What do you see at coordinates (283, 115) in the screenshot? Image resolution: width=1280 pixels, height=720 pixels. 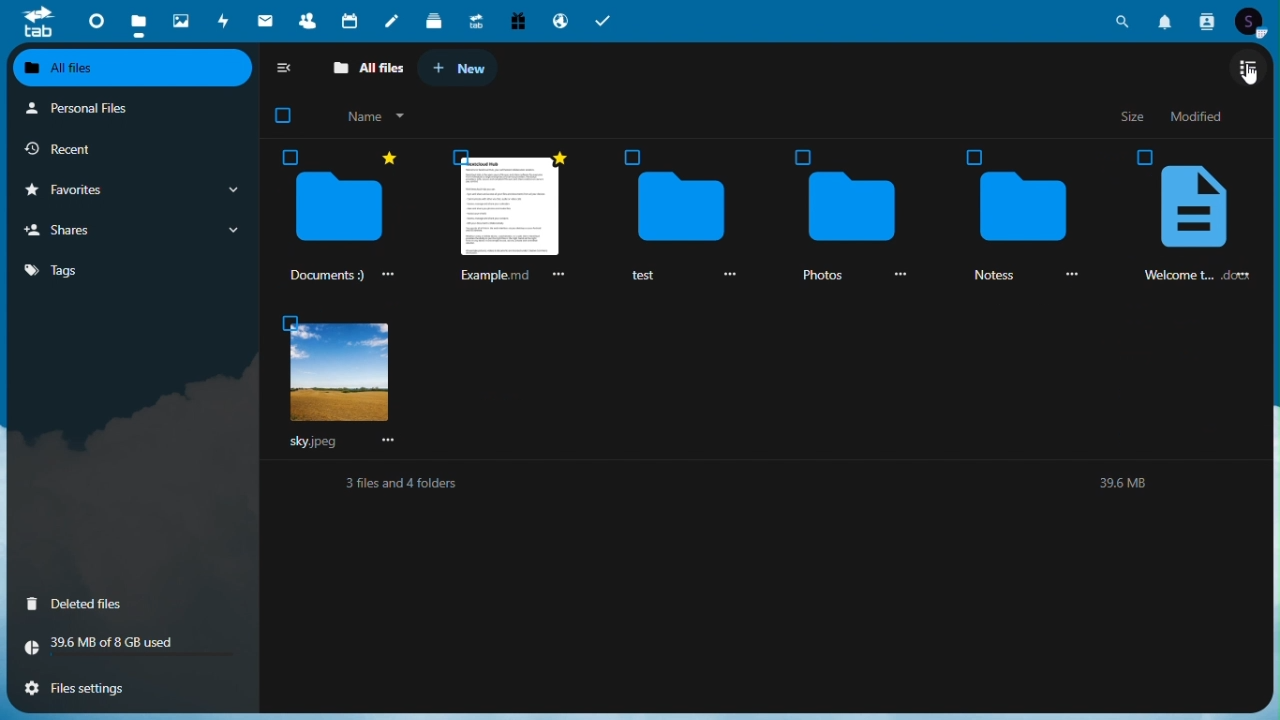 I see `checkbox` at bounding box center [283, 115].